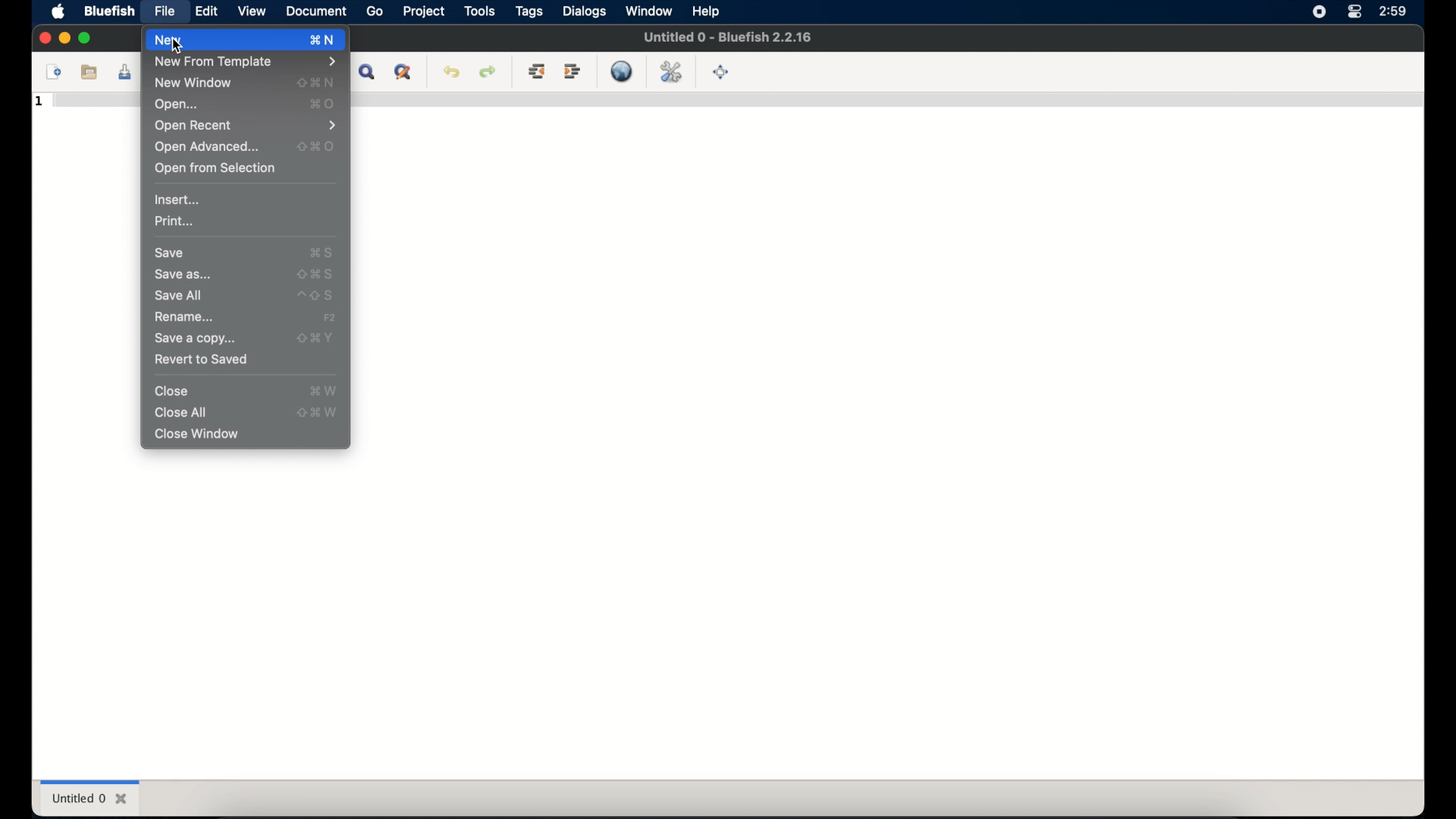  What do you see at coordinates (315, 296) in the screenshot?
I see `save all shortcut` at bounding box center [315, 296].